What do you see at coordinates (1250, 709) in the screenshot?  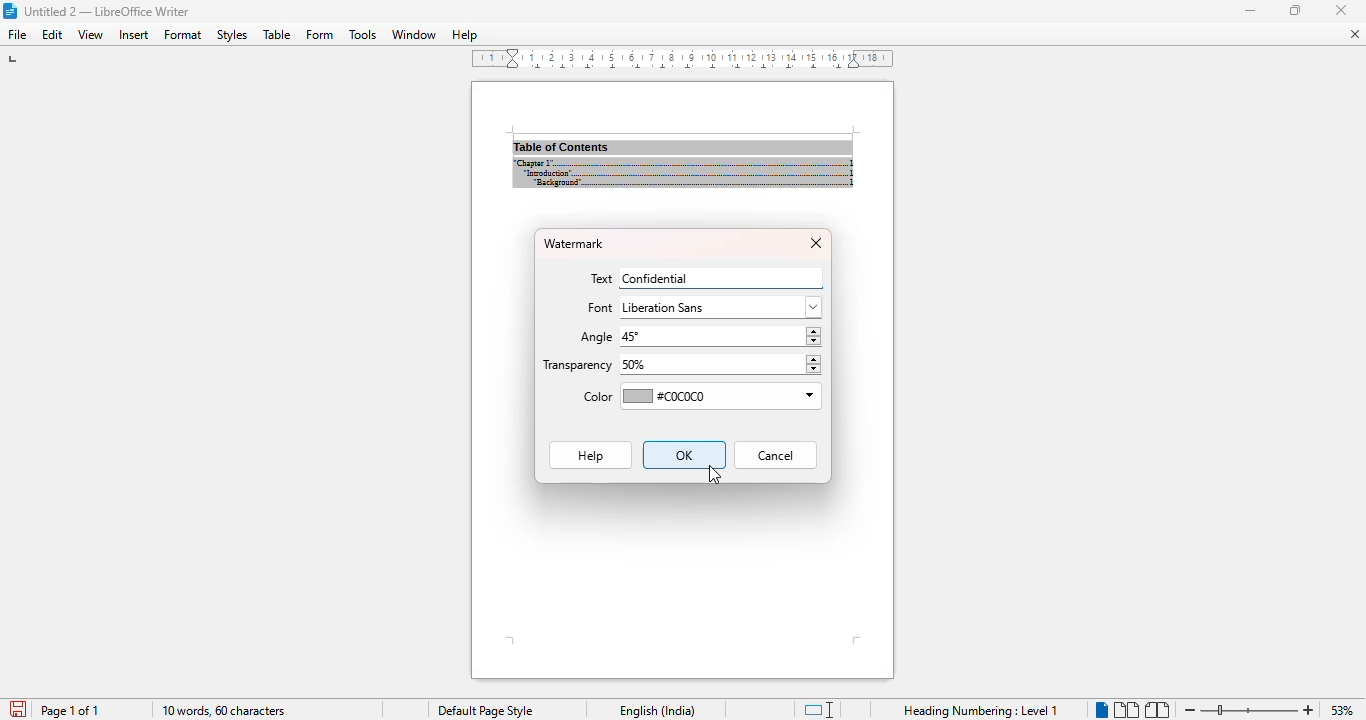 I see `zoom in or zoom out bar` at bounding box center [1250, 709].